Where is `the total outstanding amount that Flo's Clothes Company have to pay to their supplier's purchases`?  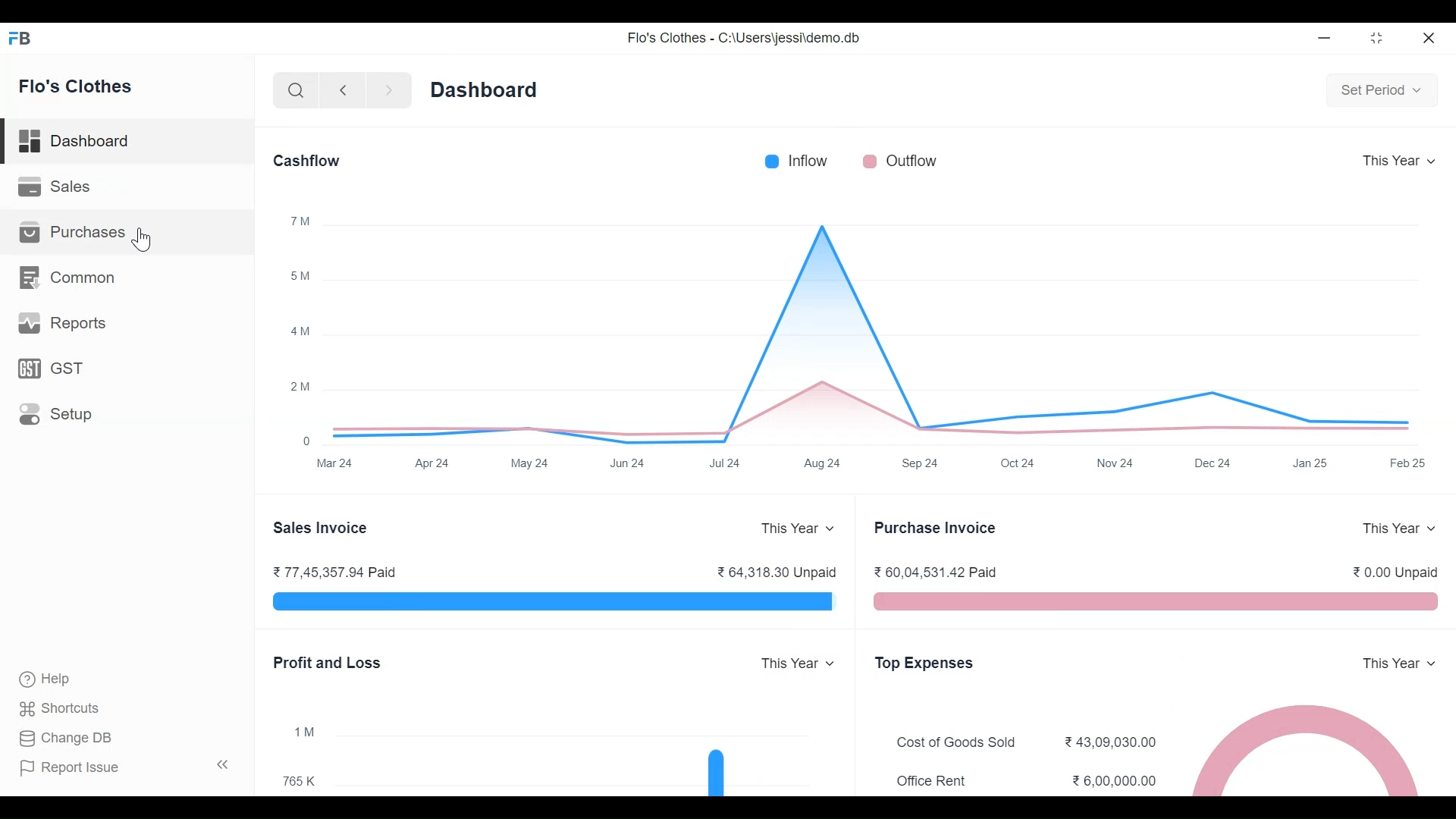 the total outstanding amount that Flo's Clothes Company have to pay to their supplier's purchases is located at coordinates (1156, 601).